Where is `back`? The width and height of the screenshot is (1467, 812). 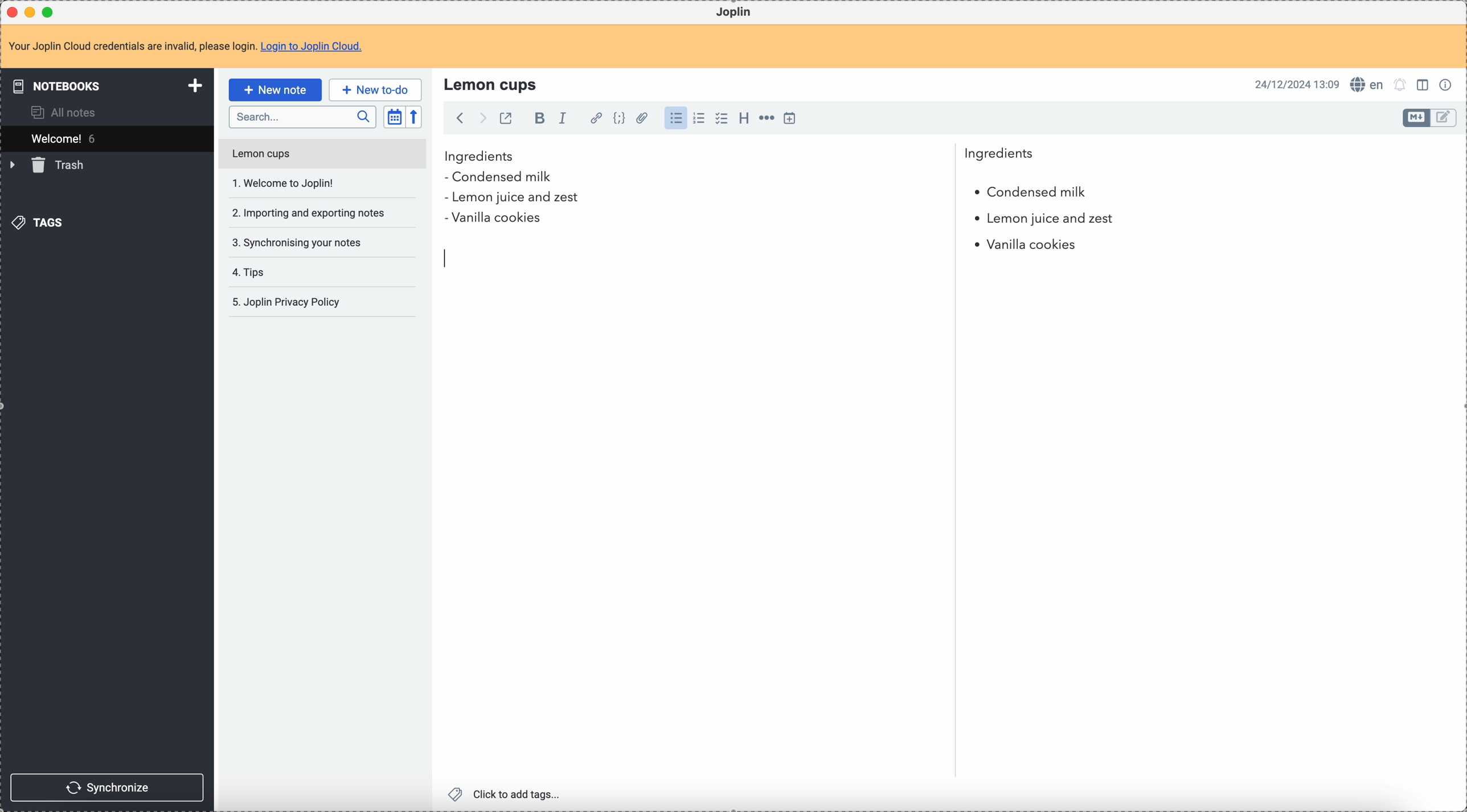 back is located at coordinates (460, 118).